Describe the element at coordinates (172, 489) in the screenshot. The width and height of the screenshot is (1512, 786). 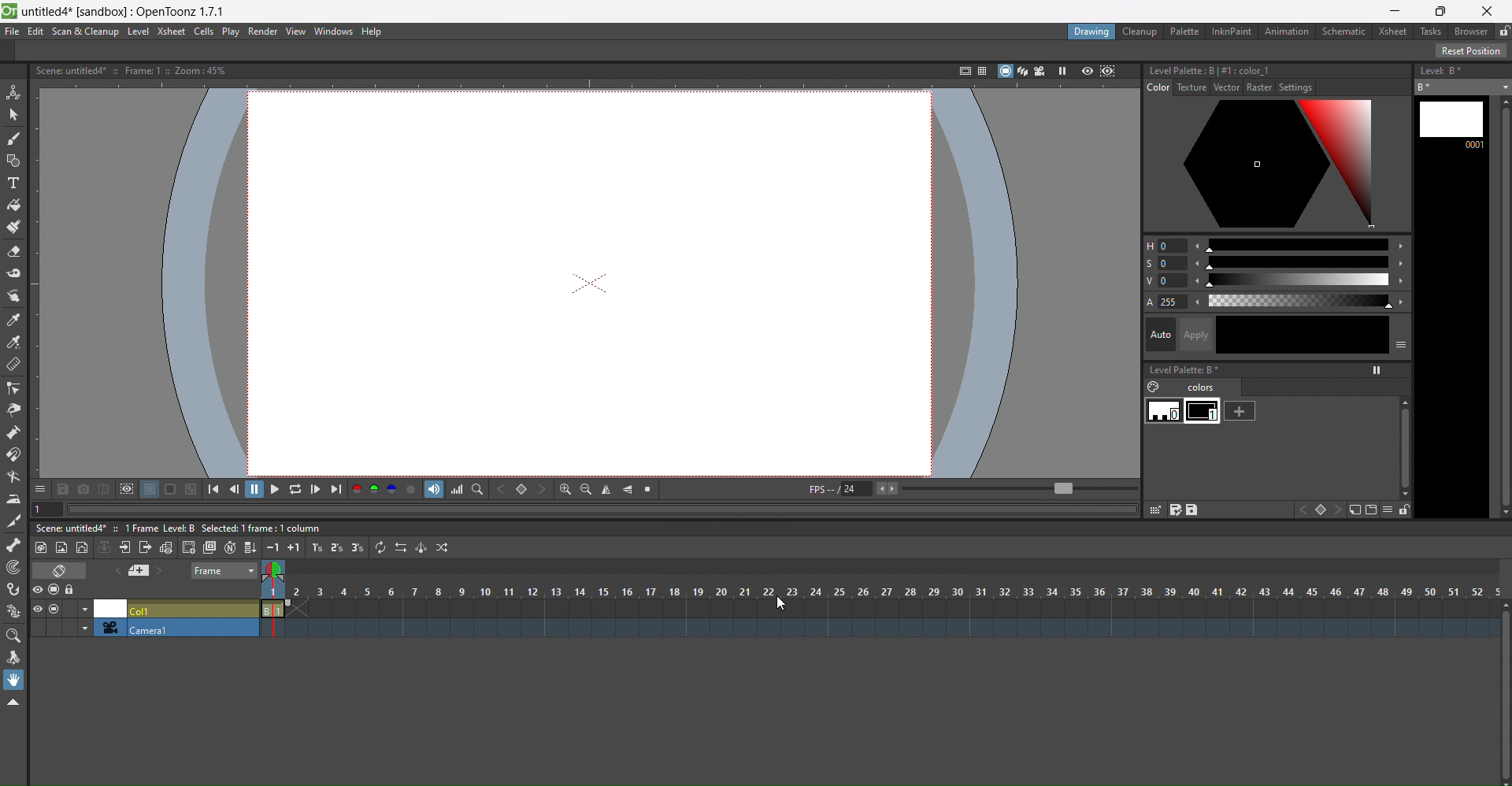
I see `tool` at that location.